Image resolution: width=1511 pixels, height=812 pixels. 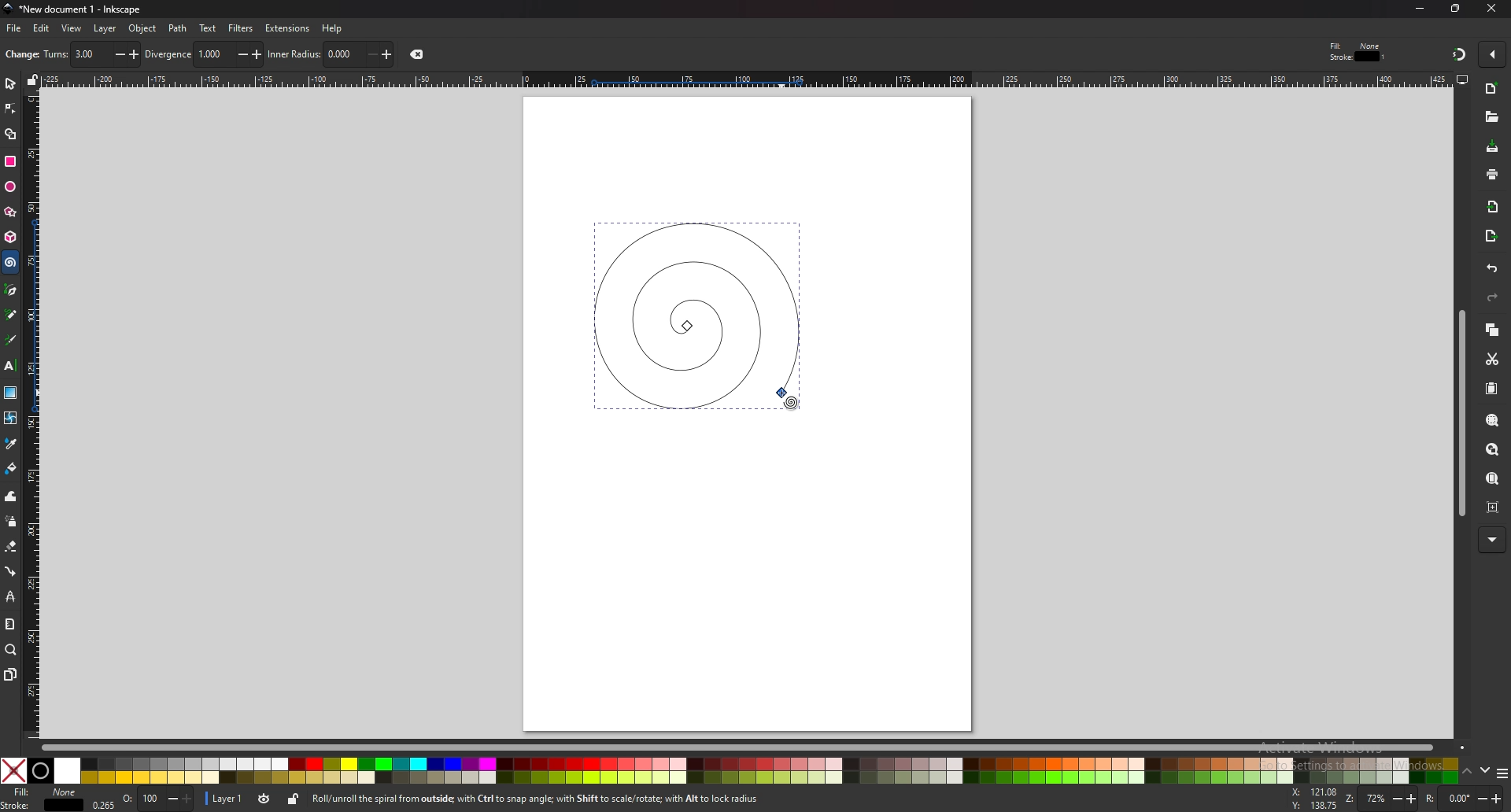 What do you see at coordinates (1492, 448) in the screenshot?
I see `zoom drawing` at bounding box center [1492, 448].